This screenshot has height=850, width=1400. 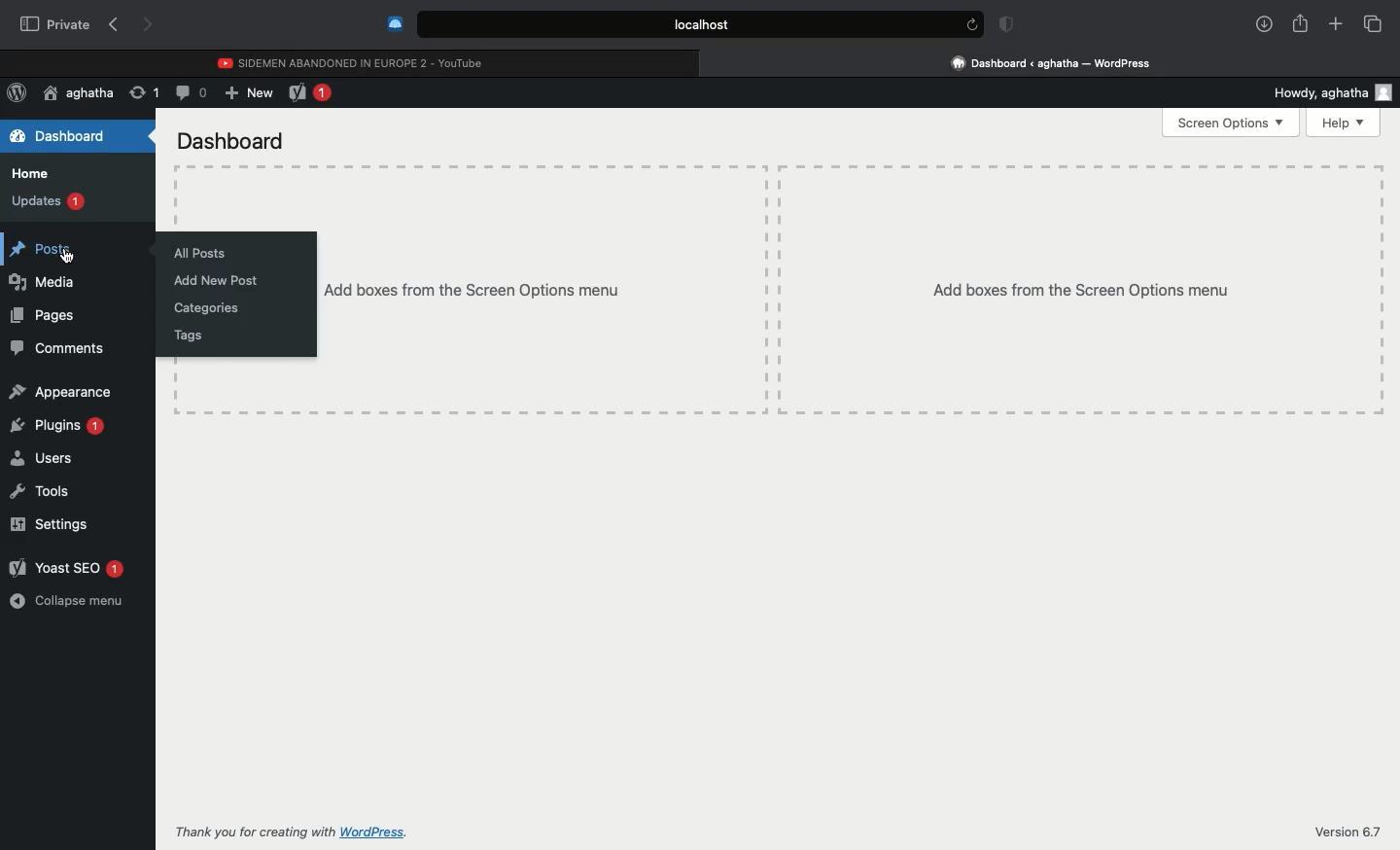 What do you see at coordinates (249, 94) in the screenshot?
I see `New` at bounding box center [249, 94].